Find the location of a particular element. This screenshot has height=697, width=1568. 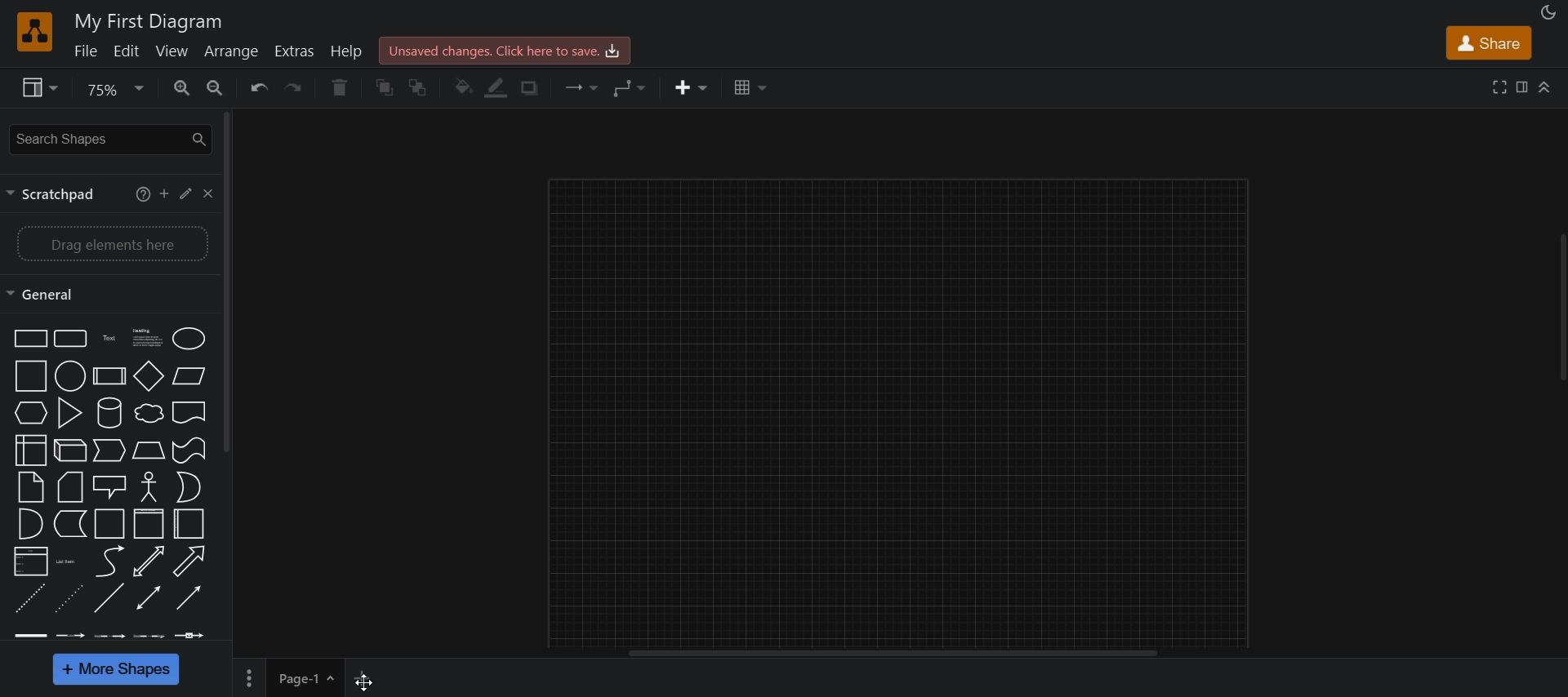

to front is located at coordinates (381, 87).